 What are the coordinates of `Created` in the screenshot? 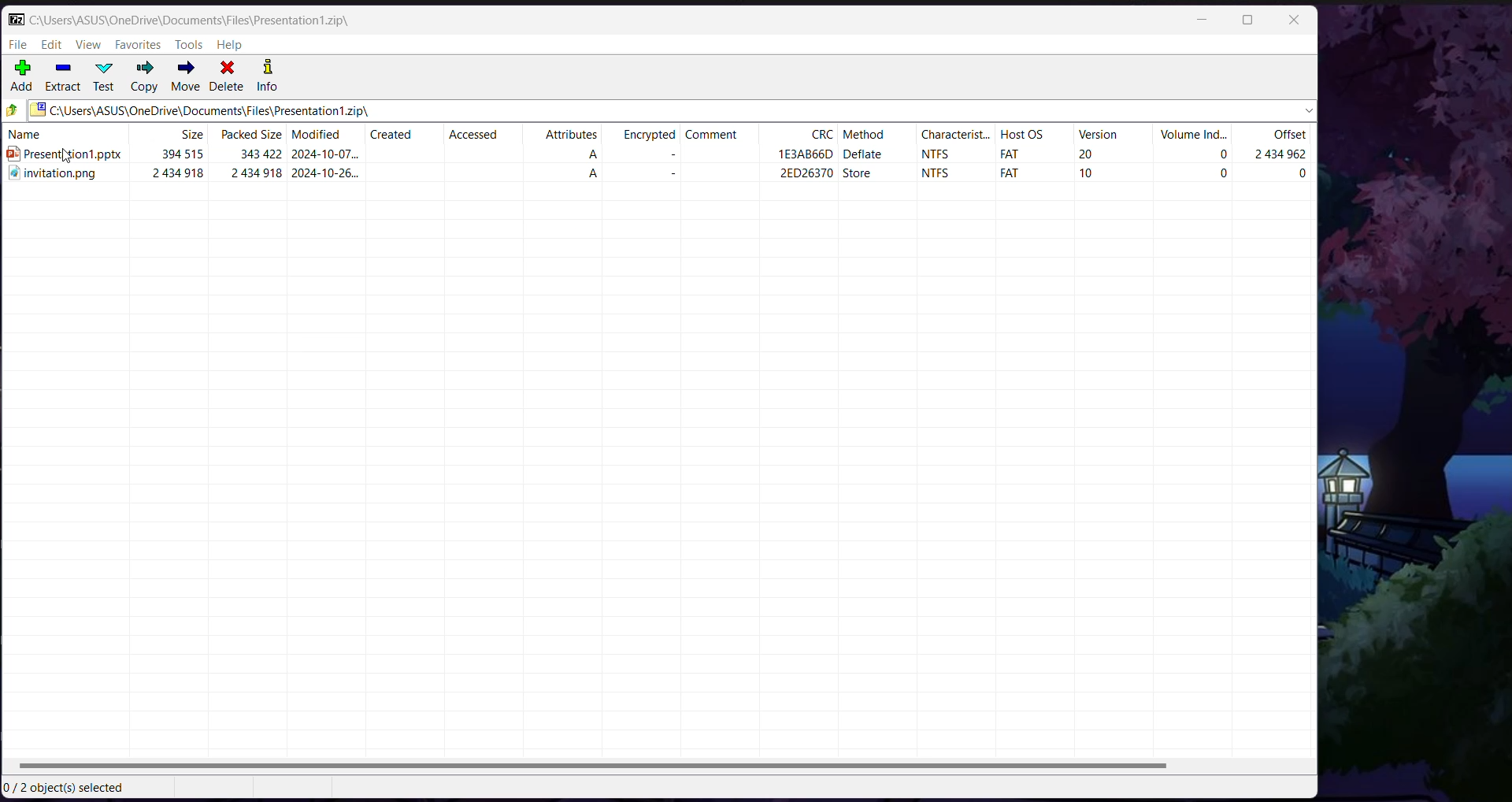 It's located at (390, 135).